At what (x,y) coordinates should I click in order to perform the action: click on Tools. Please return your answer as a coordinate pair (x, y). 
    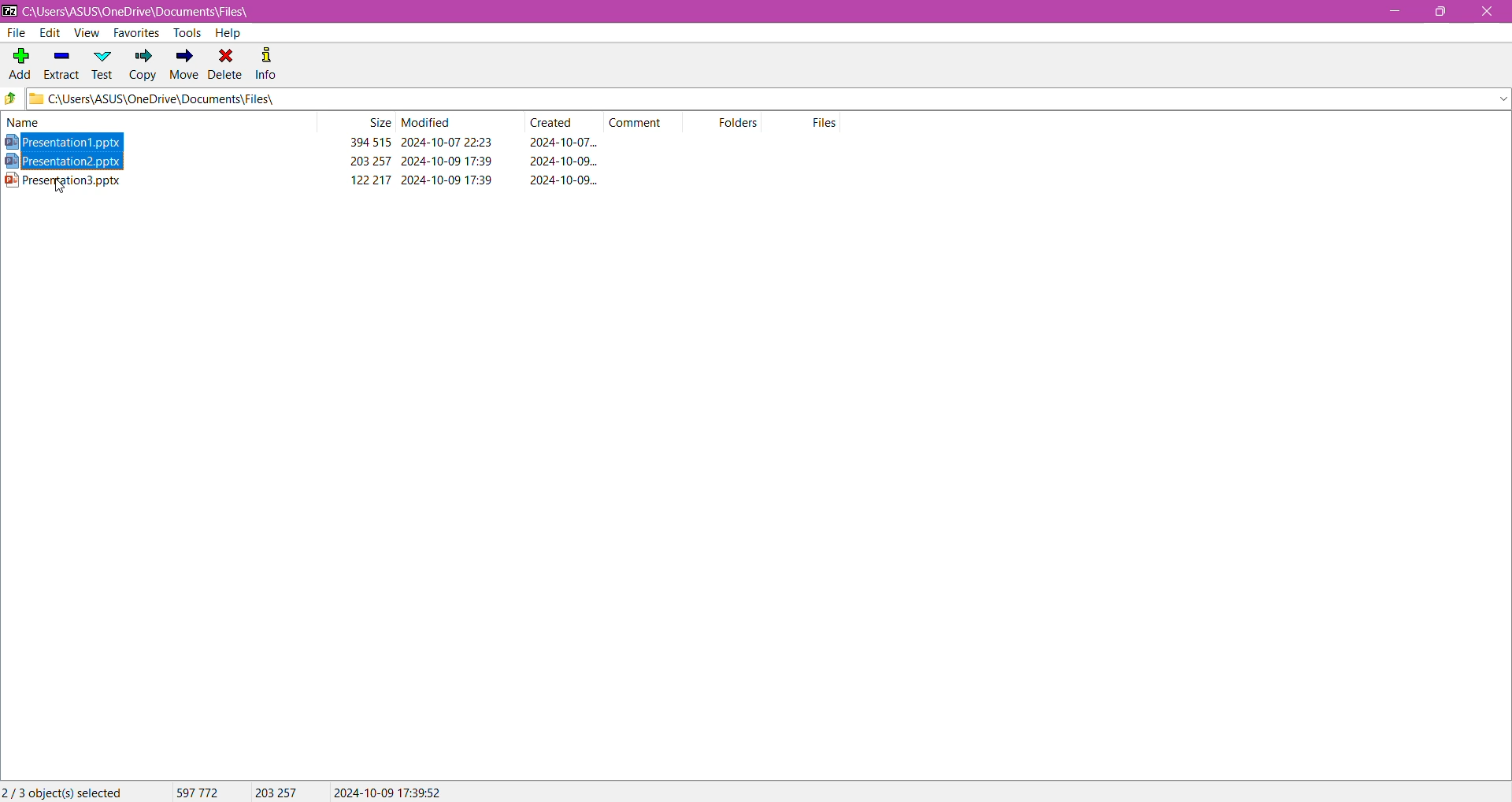
    Looking at the image, I should click on (185, 32).